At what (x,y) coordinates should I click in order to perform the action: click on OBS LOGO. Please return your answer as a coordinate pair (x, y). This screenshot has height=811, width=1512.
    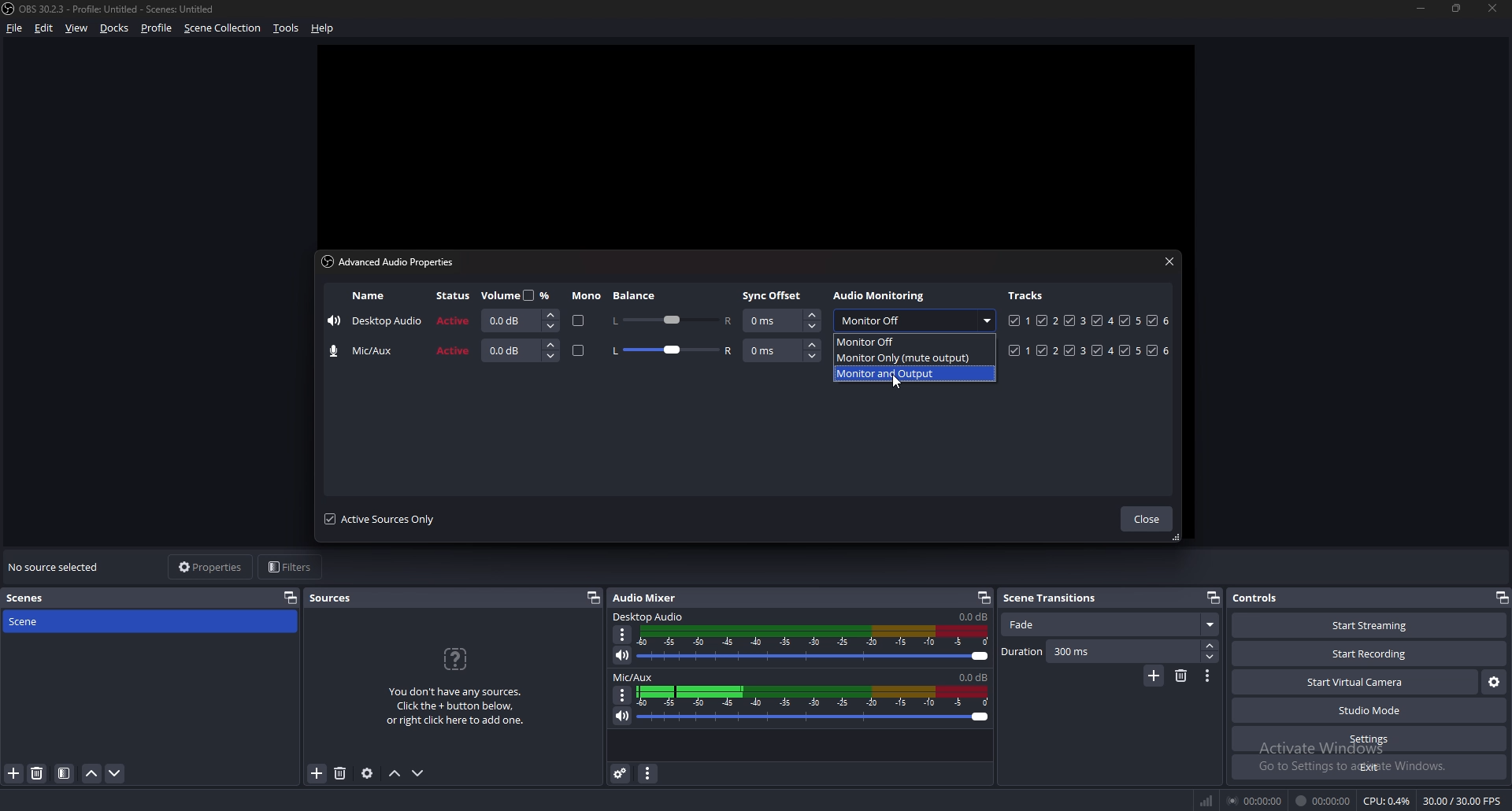
    Looking at the image, I should click on (9, 10).